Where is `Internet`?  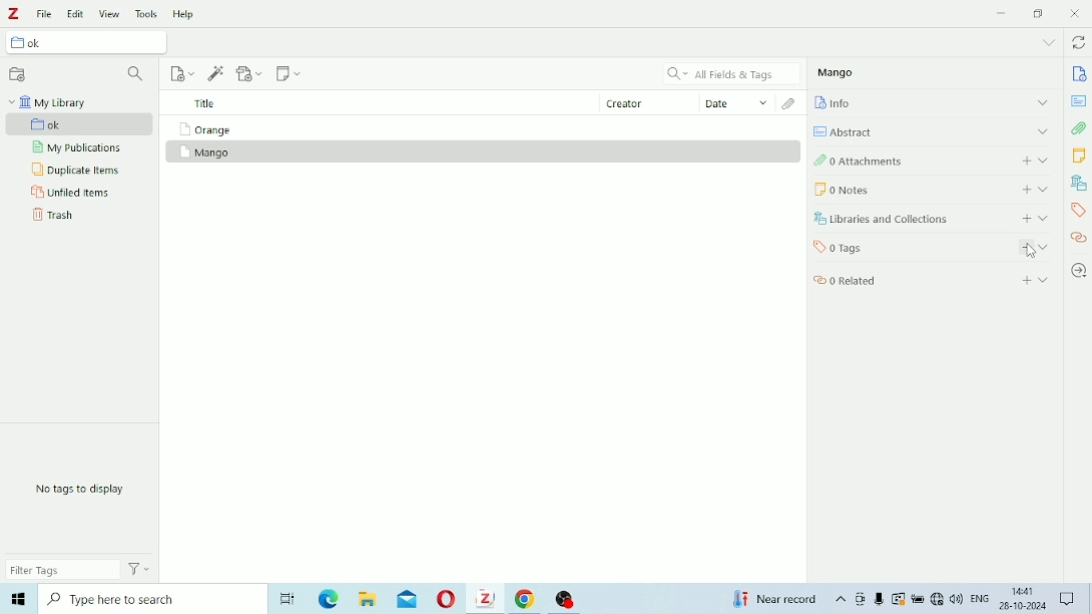 Internet is located at coordinates (937, 600).